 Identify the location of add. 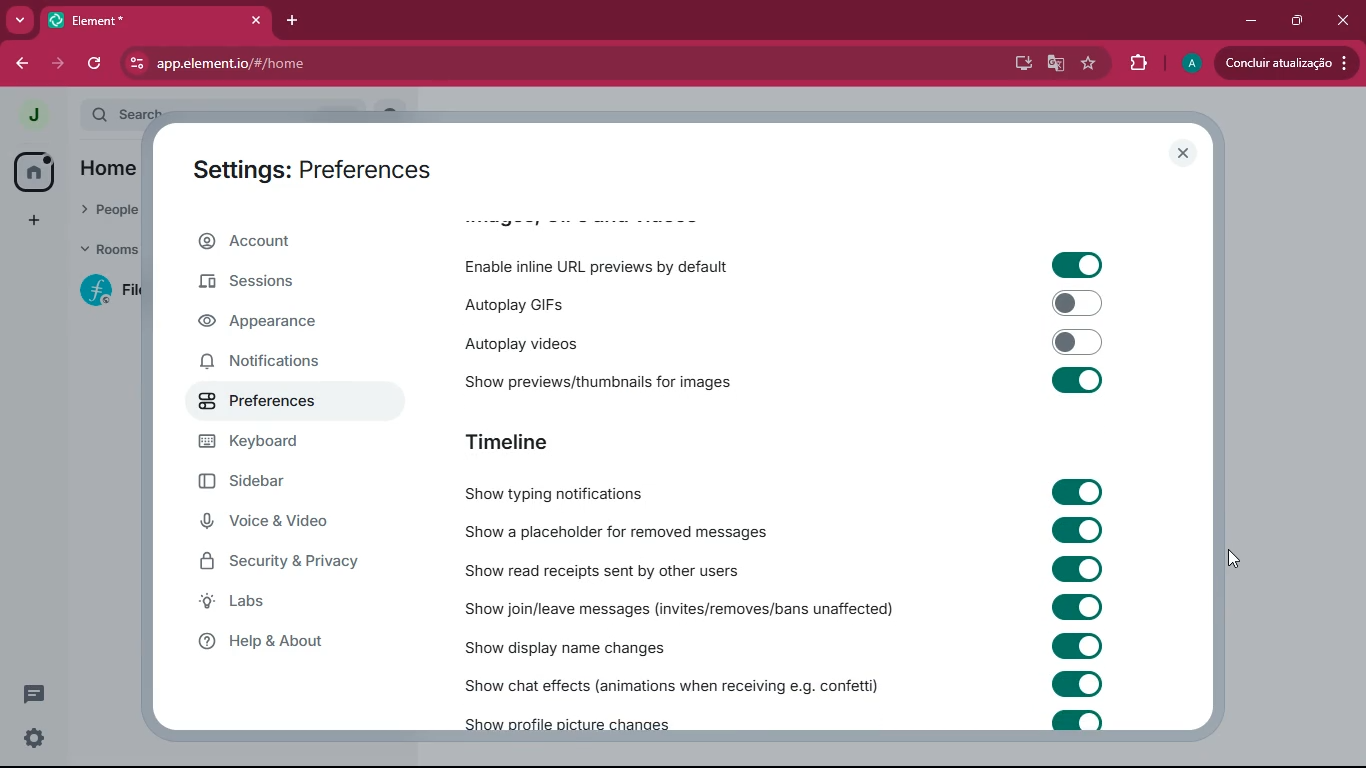
(34, 222).